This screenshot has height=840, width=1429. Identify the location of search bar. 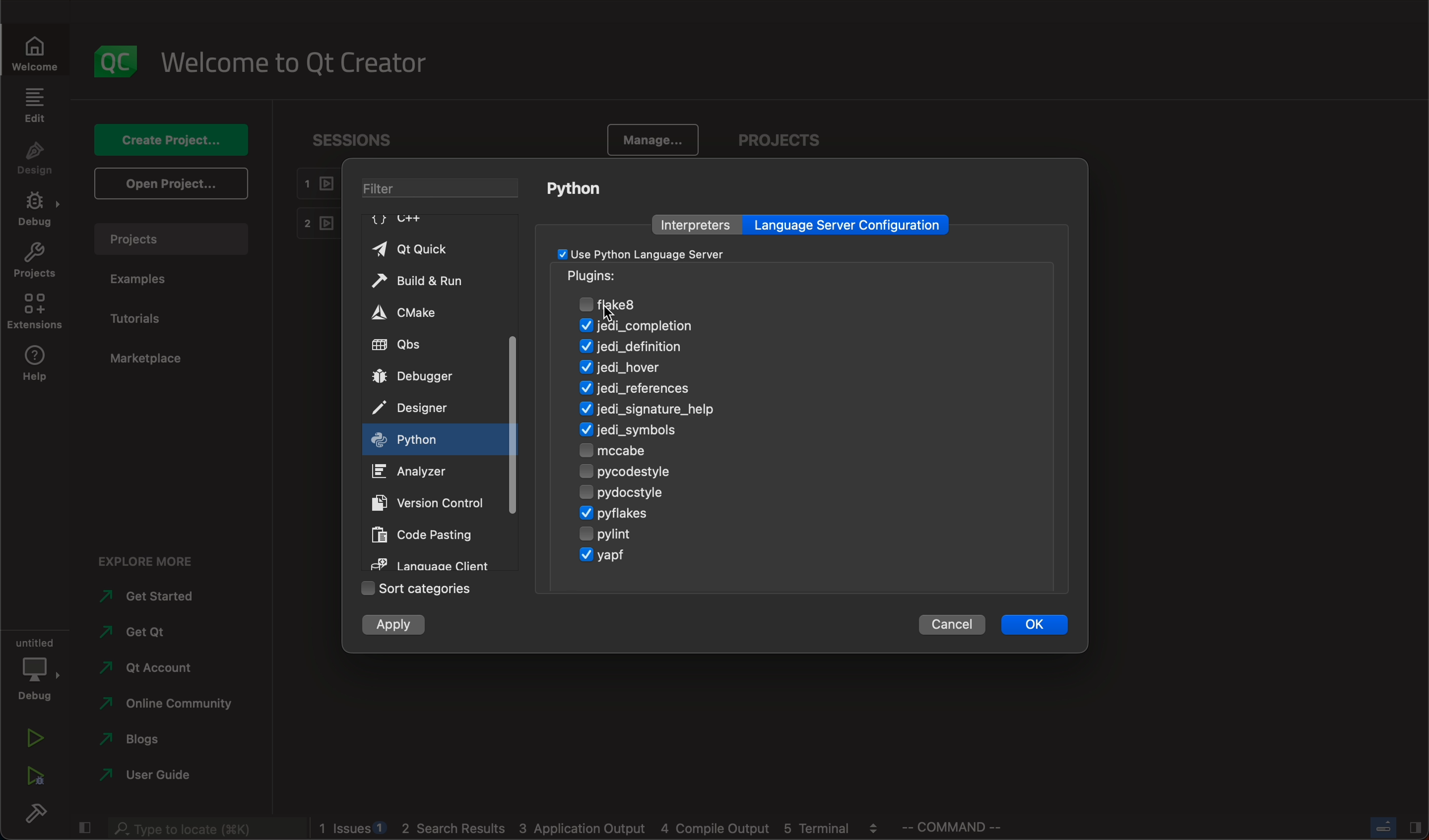
(204, 828).